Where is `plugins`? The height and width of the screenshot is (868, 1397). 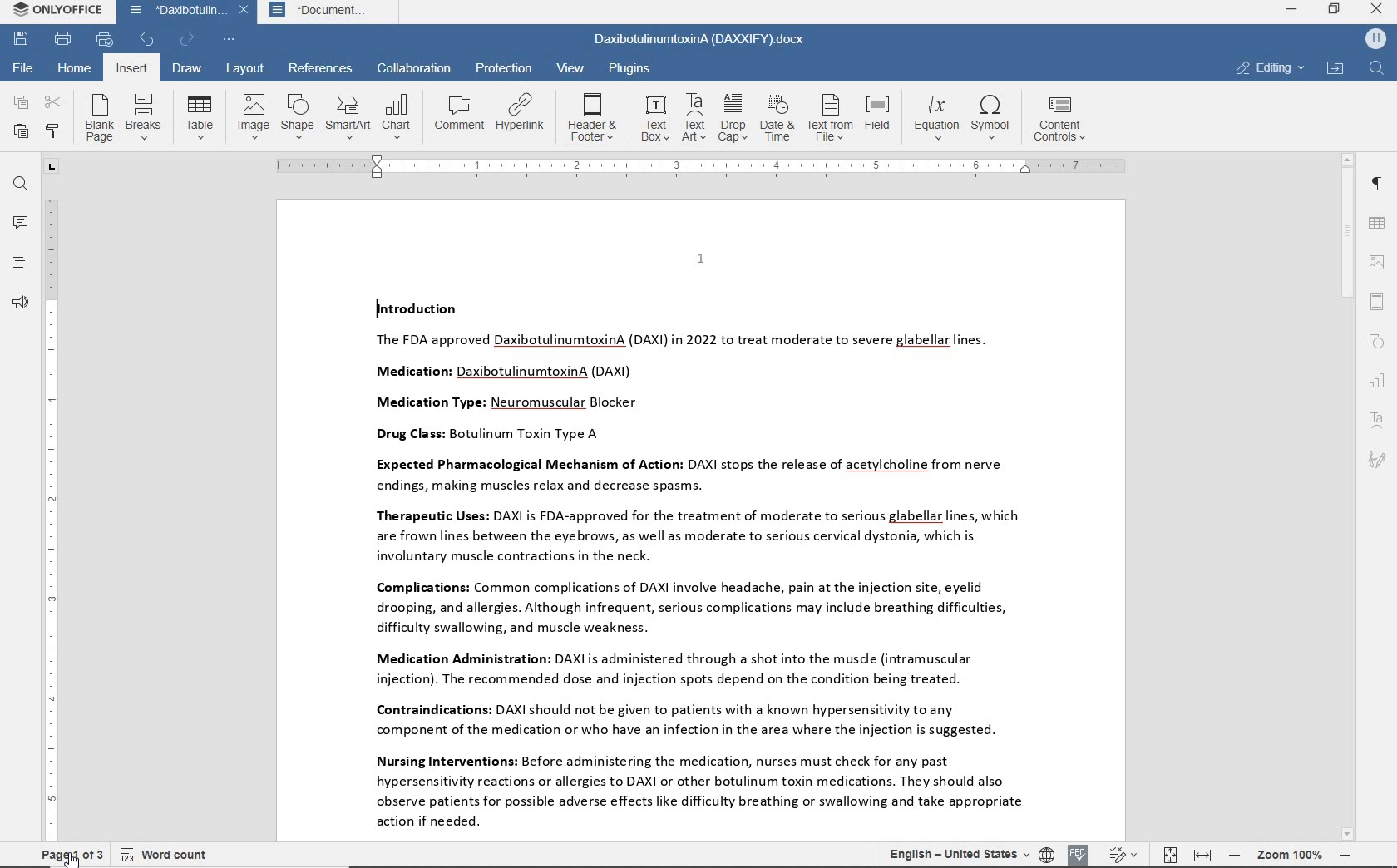 plugins is located at coordinates (633, 67).